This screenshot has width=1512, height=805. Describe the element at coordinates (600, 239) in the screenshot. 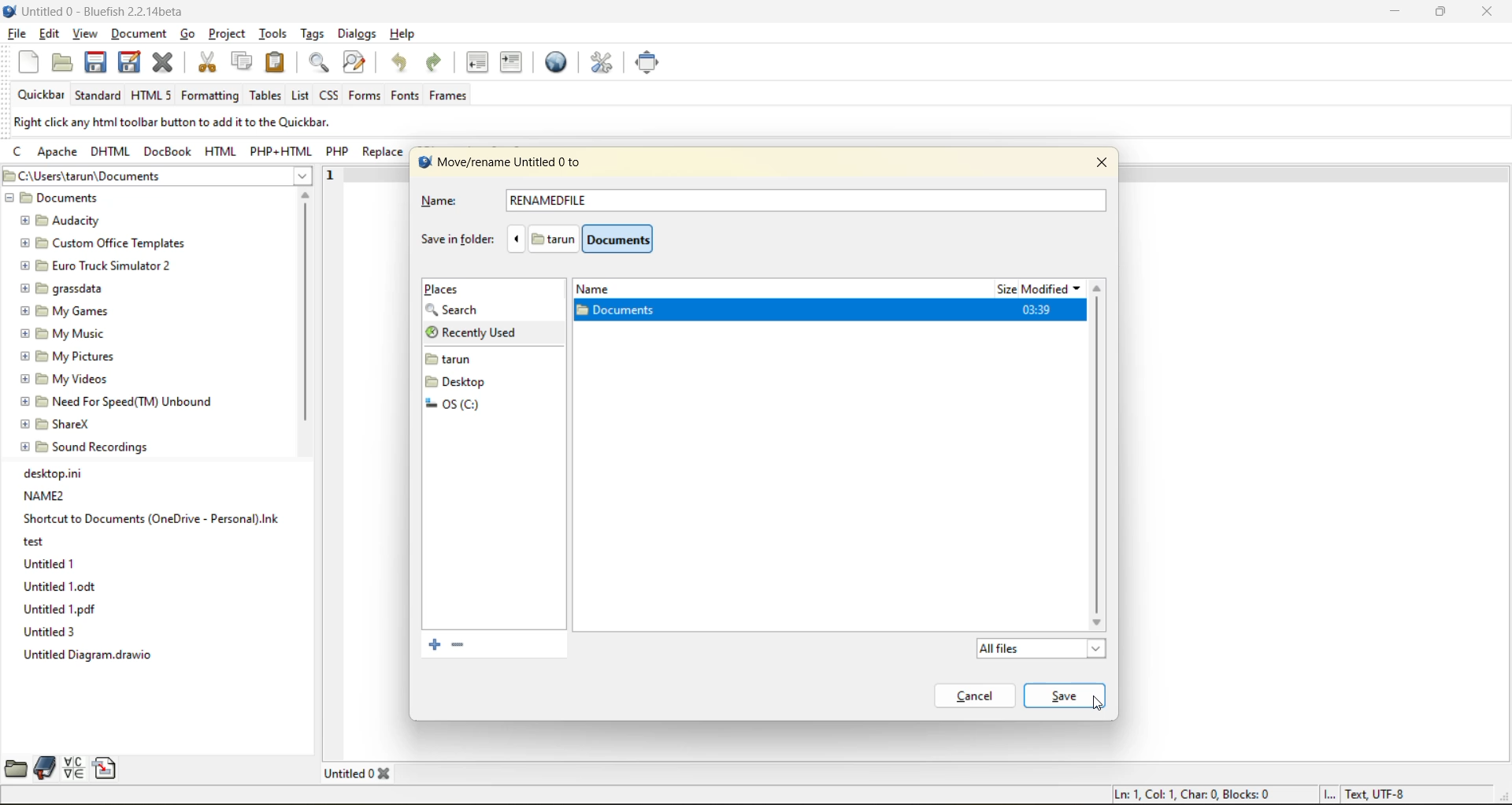

I see `file location` at that location.